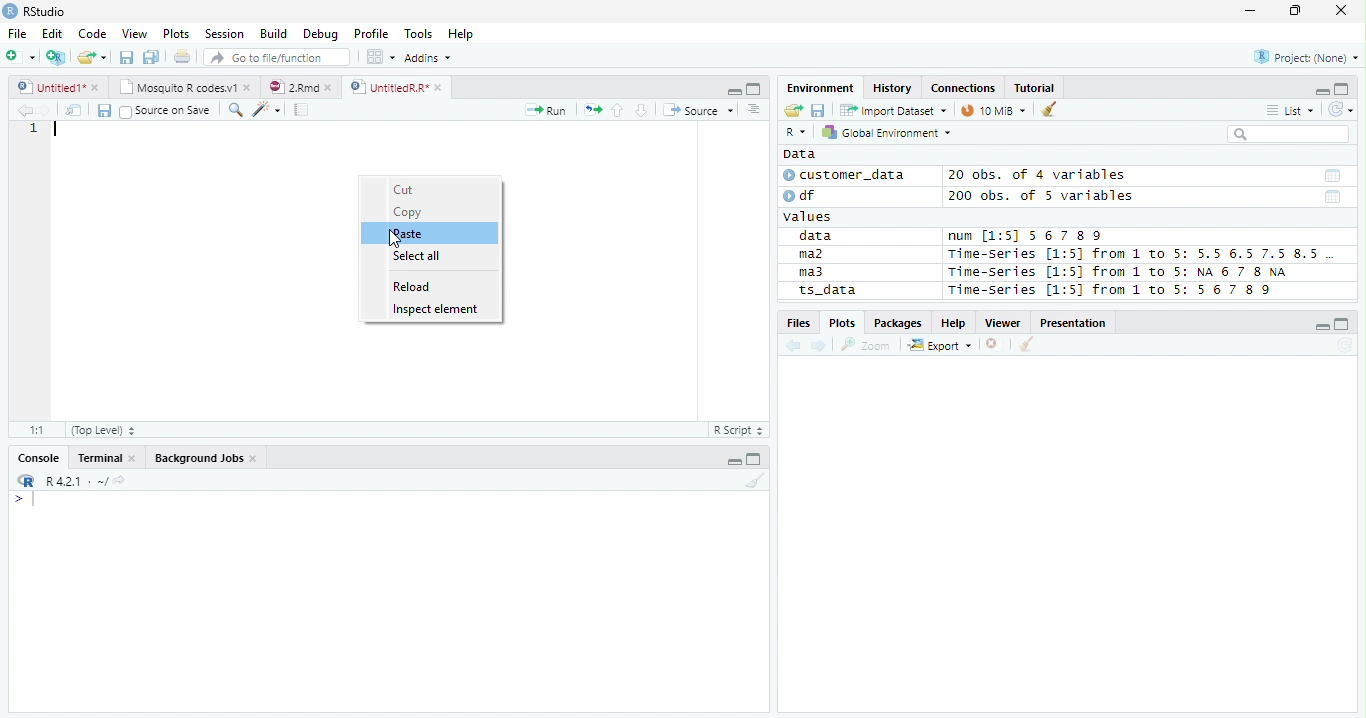 Image resolution: width=1366 pixels, height=718 pixels. Describe the element at coordinates (126, 56) in the screenshot. I see `Save` at that location.